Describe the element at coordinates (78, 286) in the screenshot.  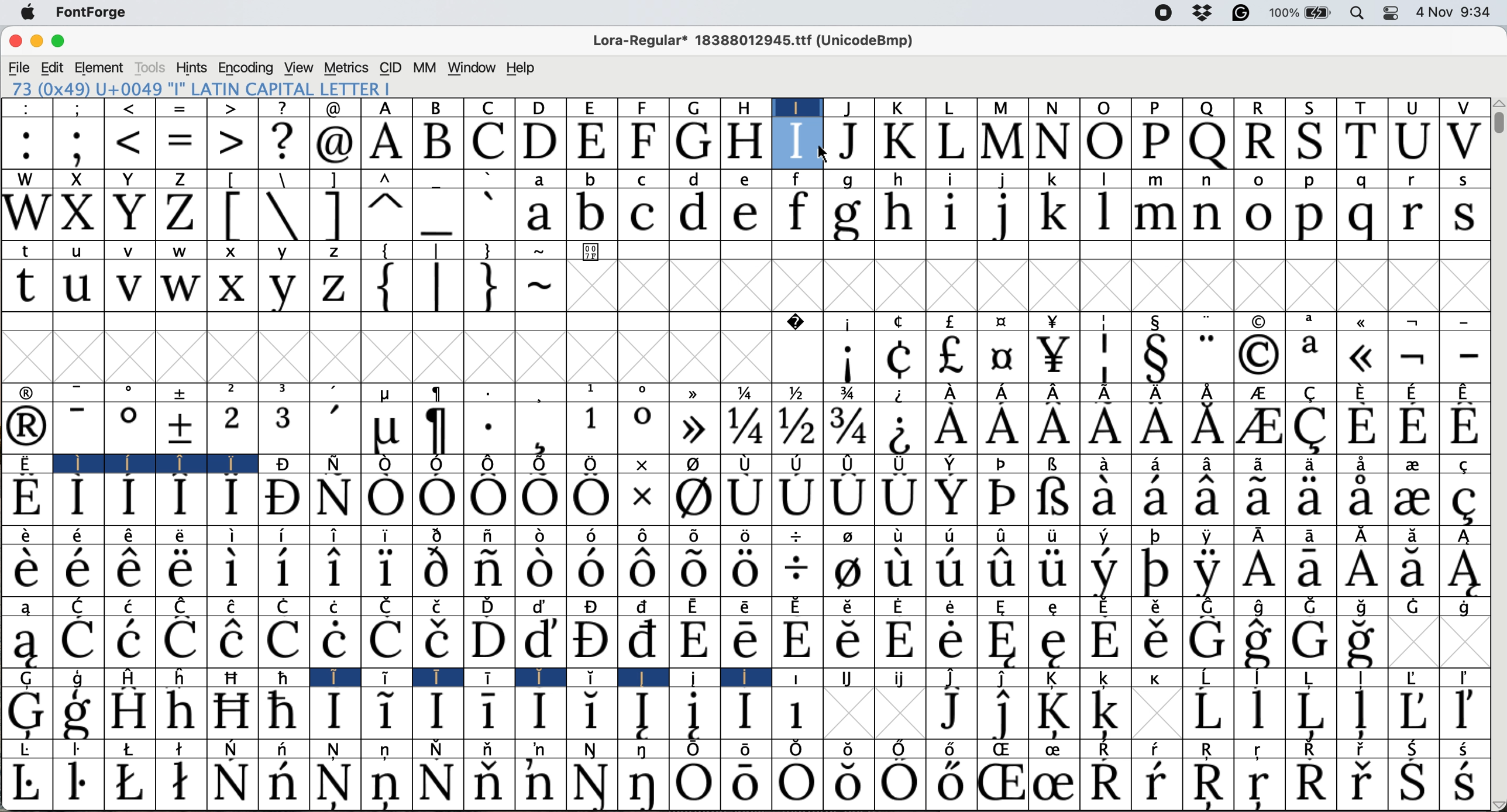
I see `u` at that location.